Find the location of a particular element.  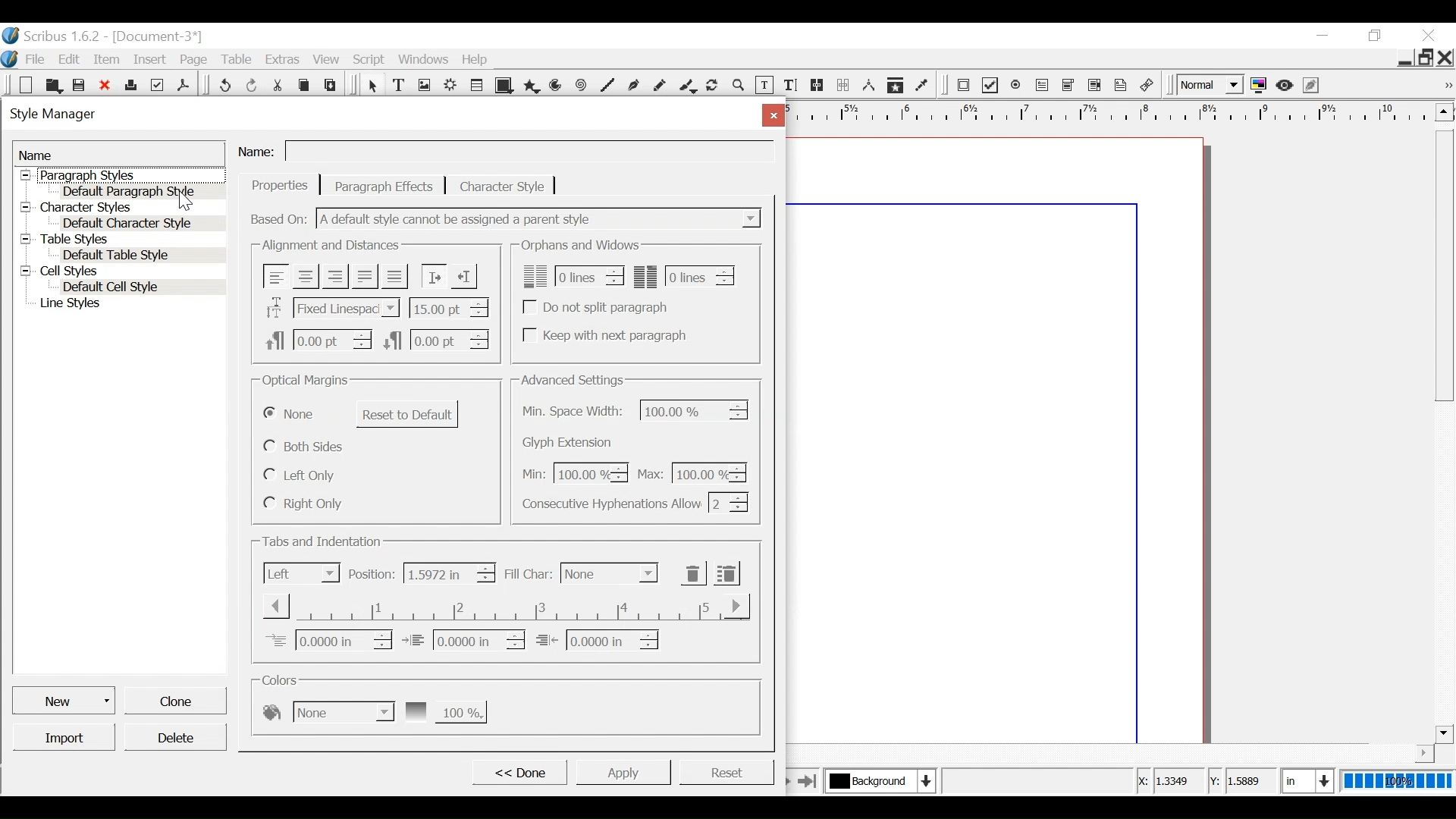

Position of tab is located at coordinates (448, 573).